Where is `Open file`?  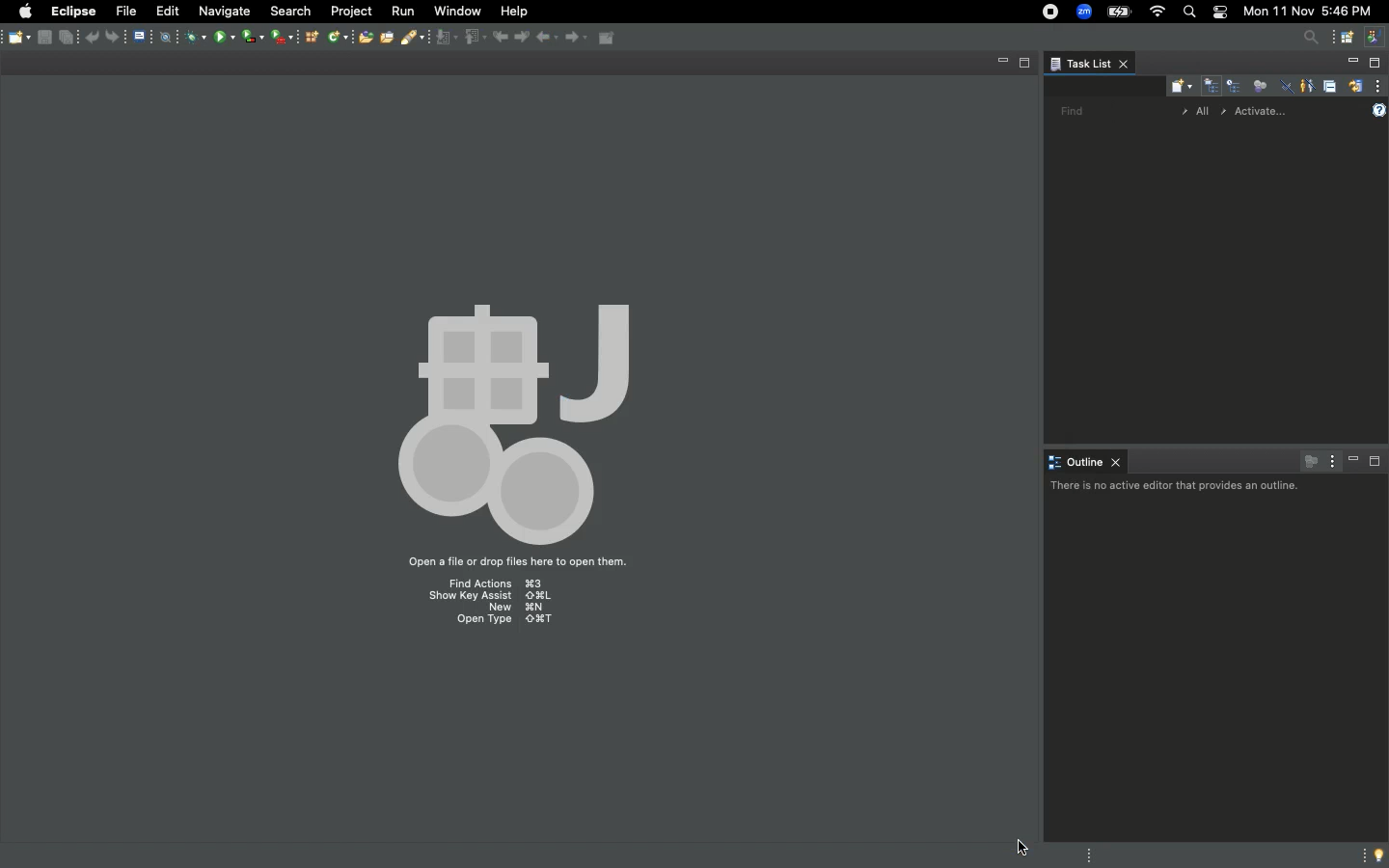 Open file is located at coordinates (388, 38).